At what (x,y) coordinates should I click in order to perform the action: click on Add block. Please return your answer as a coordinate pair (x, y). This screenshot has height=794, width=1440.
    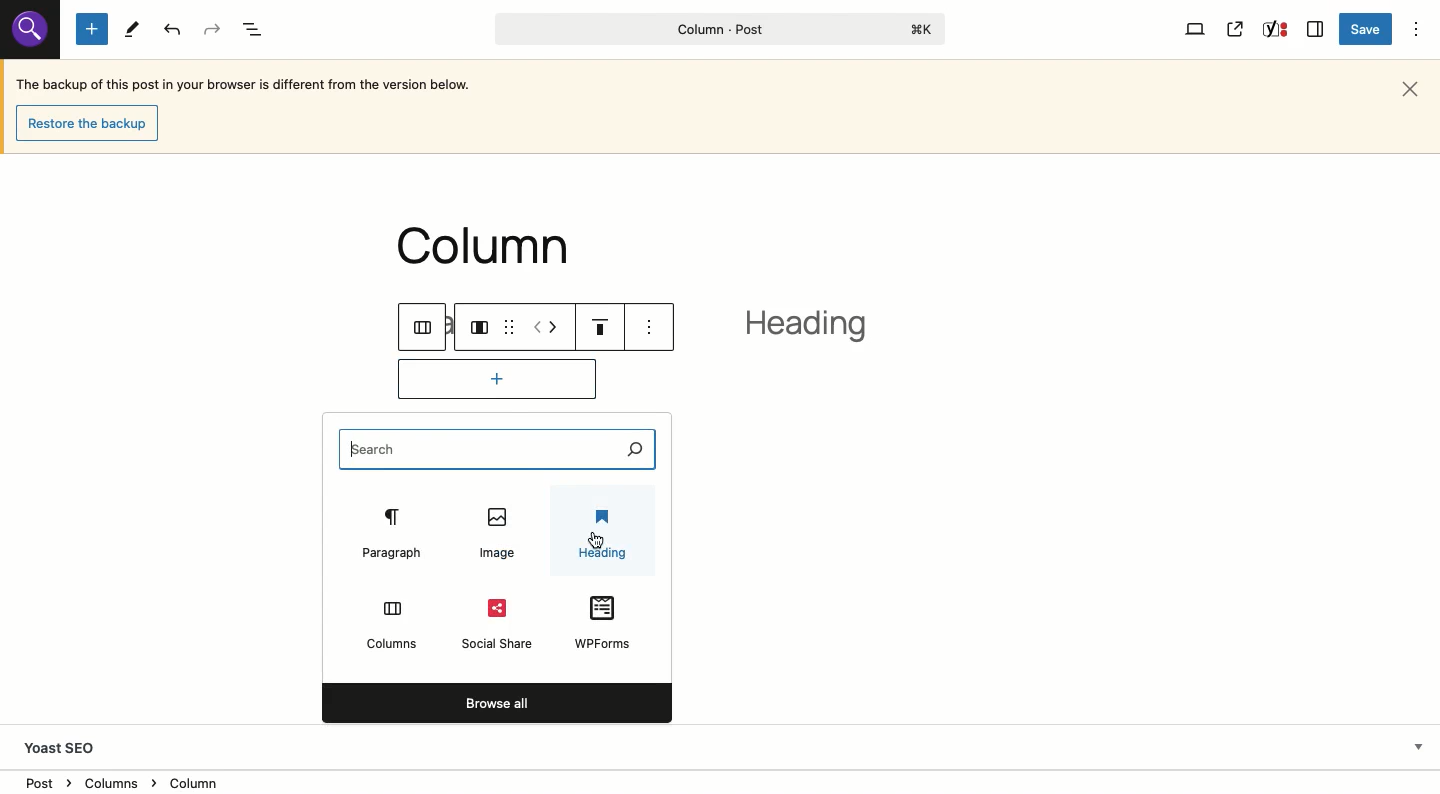
    Looking at the image, I should click on (498, 381).